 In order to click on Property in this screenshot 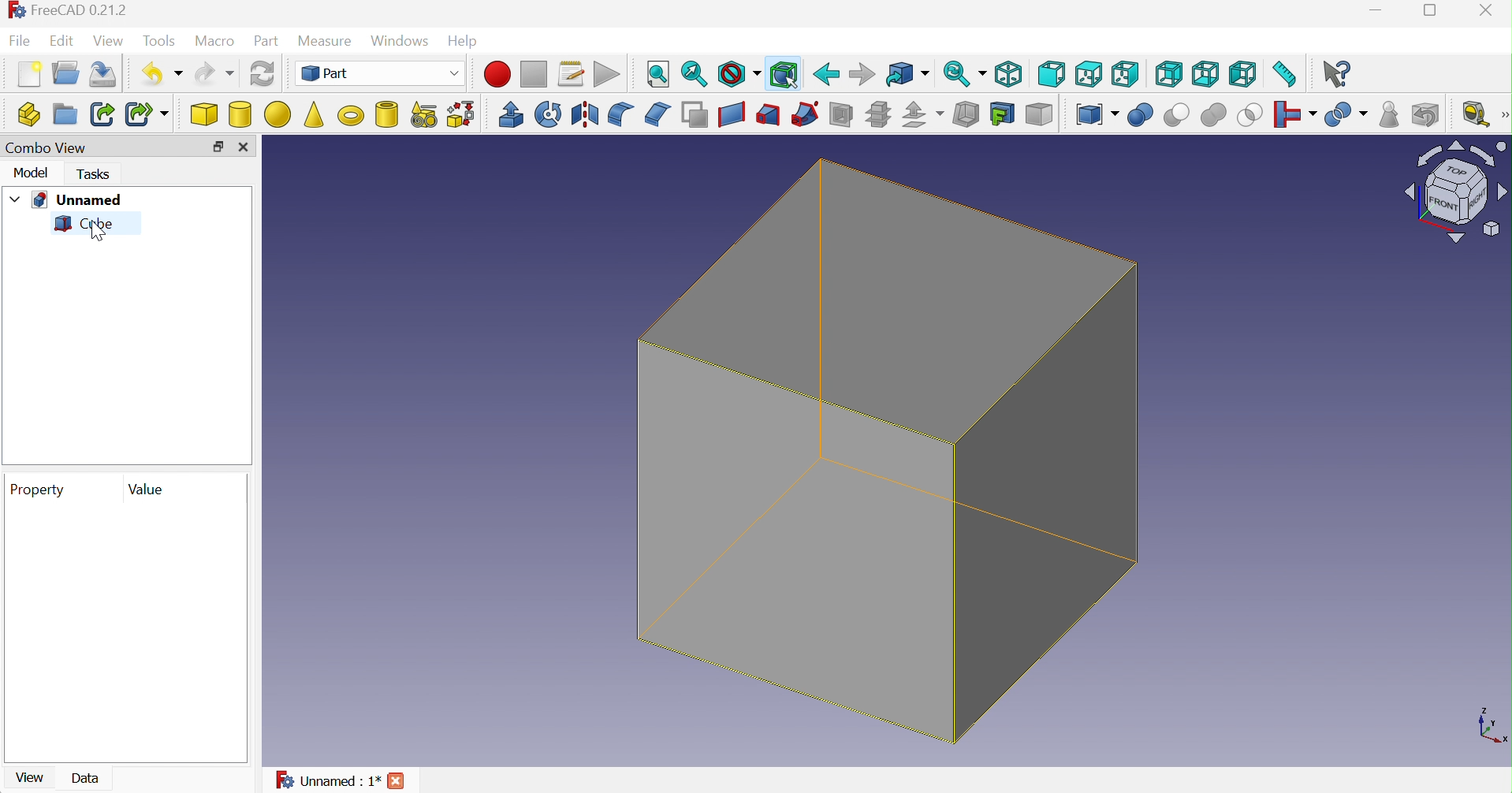, I will do `click(37, 488)`.